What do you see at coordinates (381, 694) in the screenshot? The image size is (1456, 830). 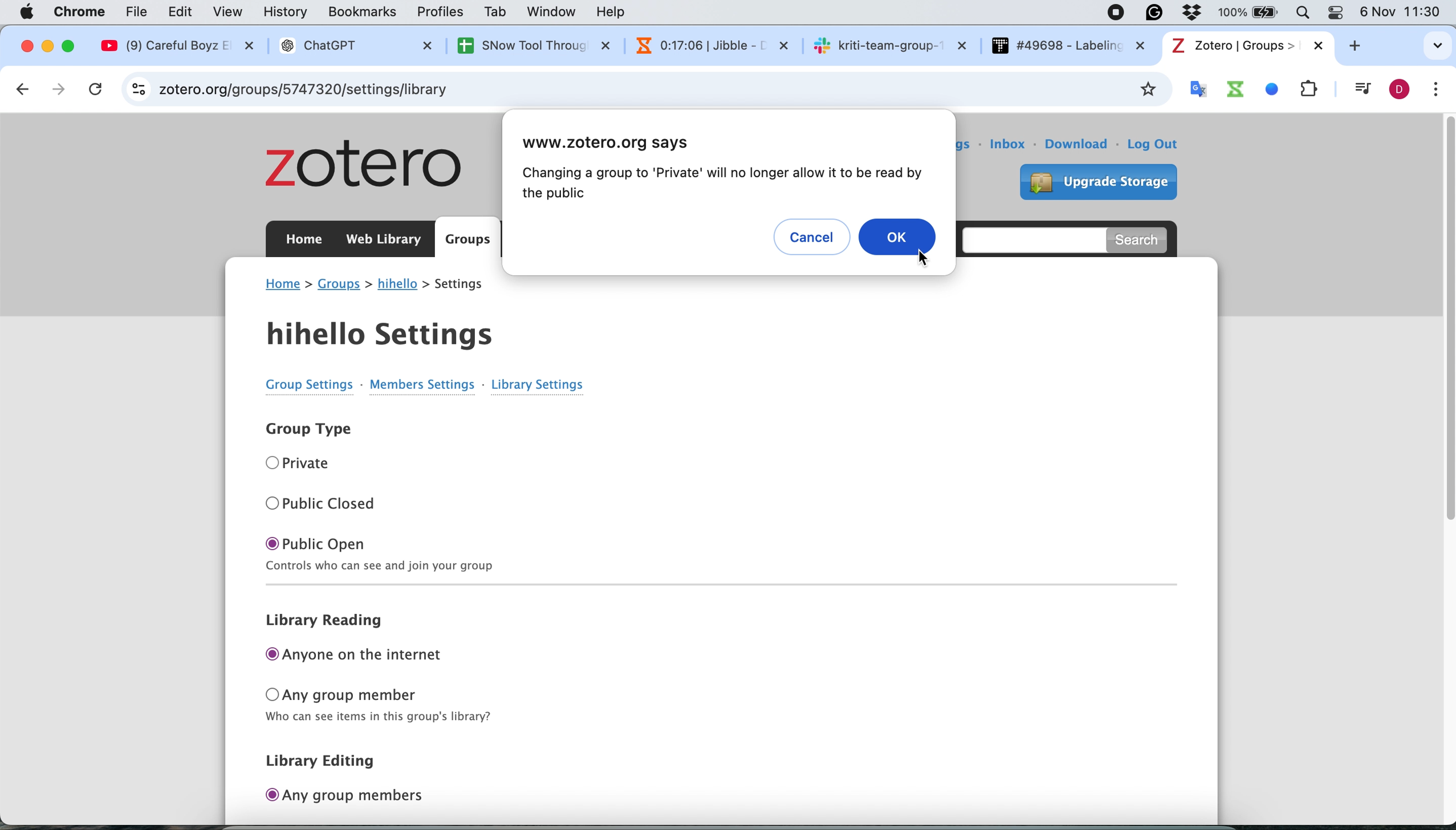 I see `any group member` at bounding box center [381, 694].